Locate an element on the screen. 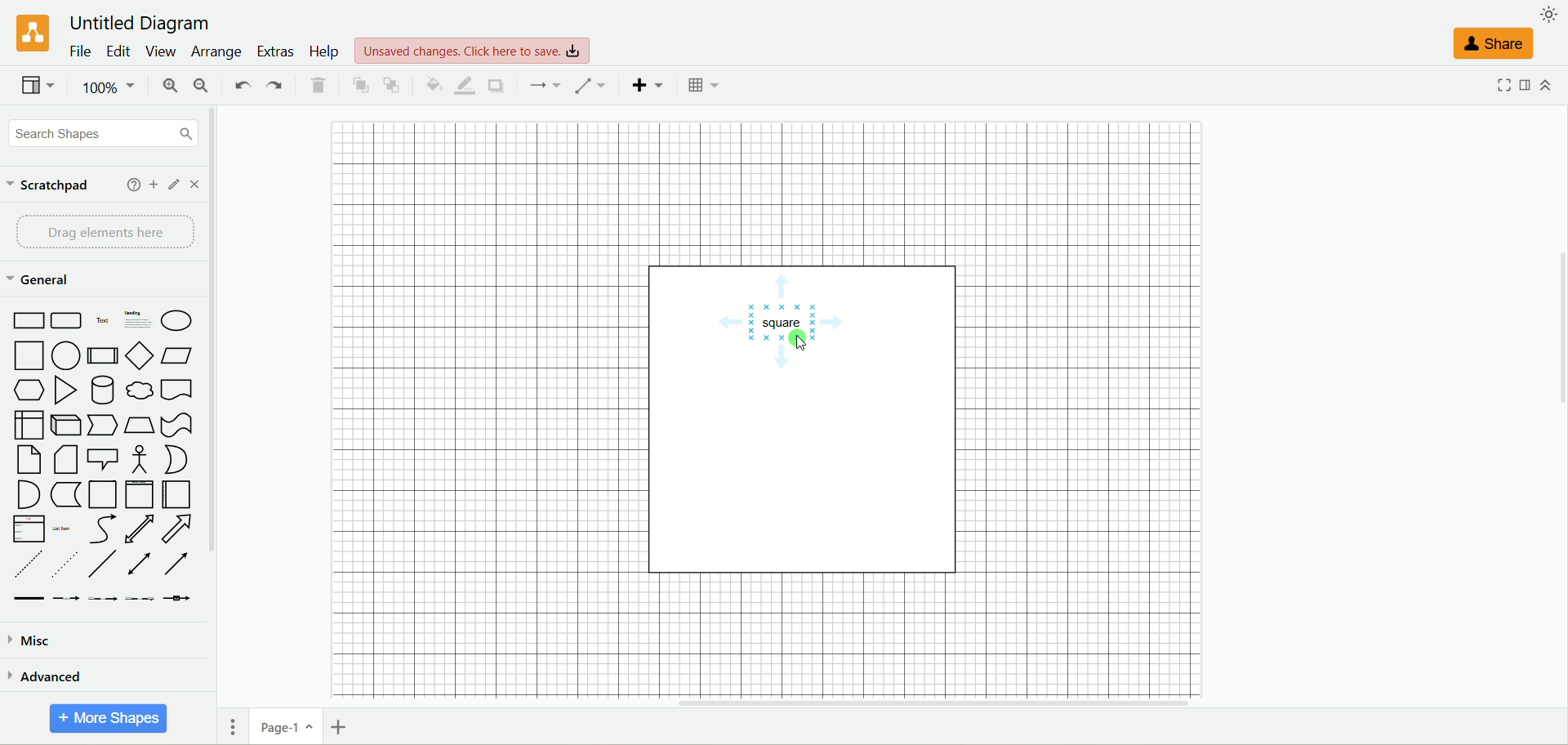  misc is located at coordinates (36, 638).